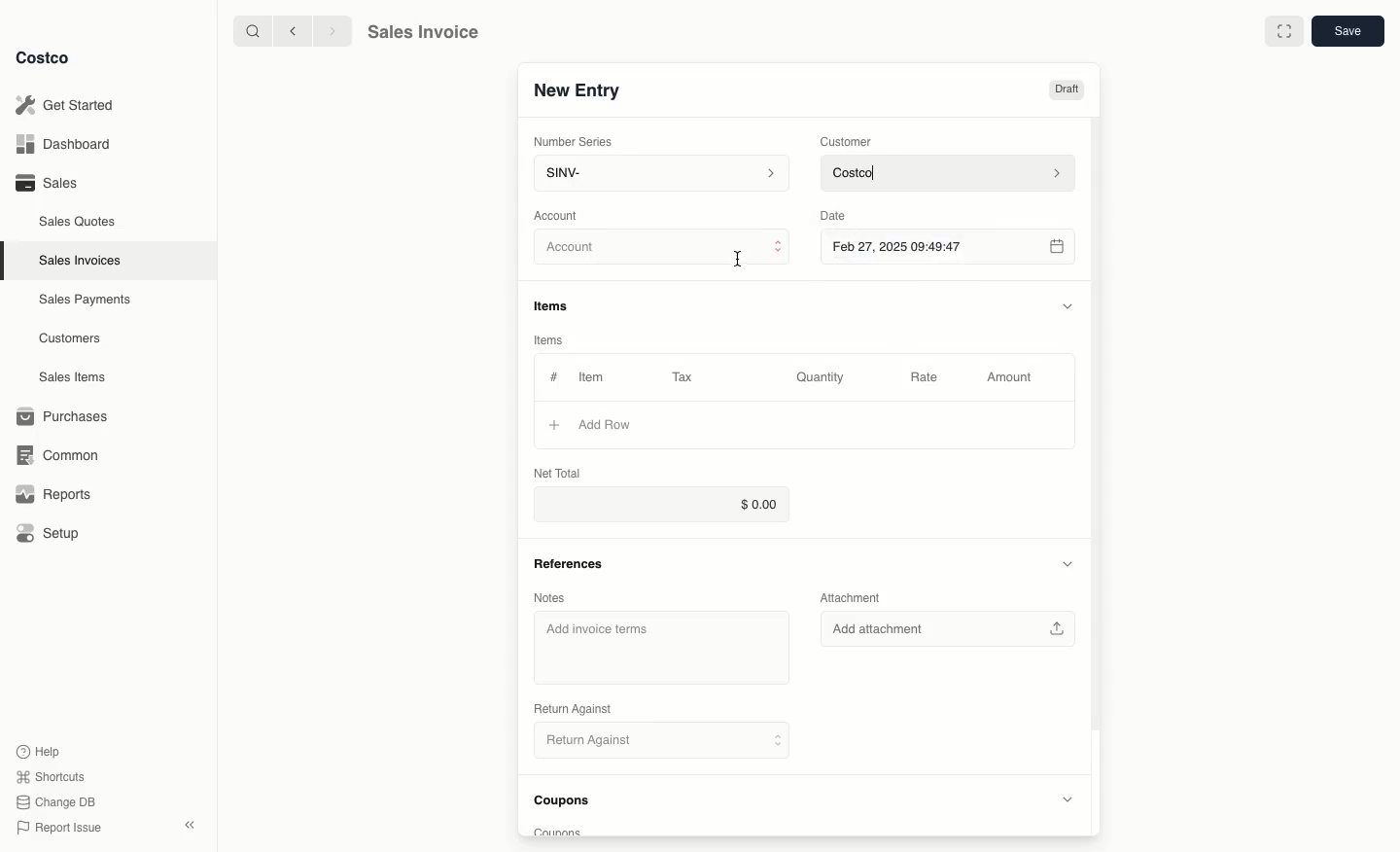 Image resolution: width=1400 pixels, height=852 pixels. I want to click on ‘Account, so click(559, 214).